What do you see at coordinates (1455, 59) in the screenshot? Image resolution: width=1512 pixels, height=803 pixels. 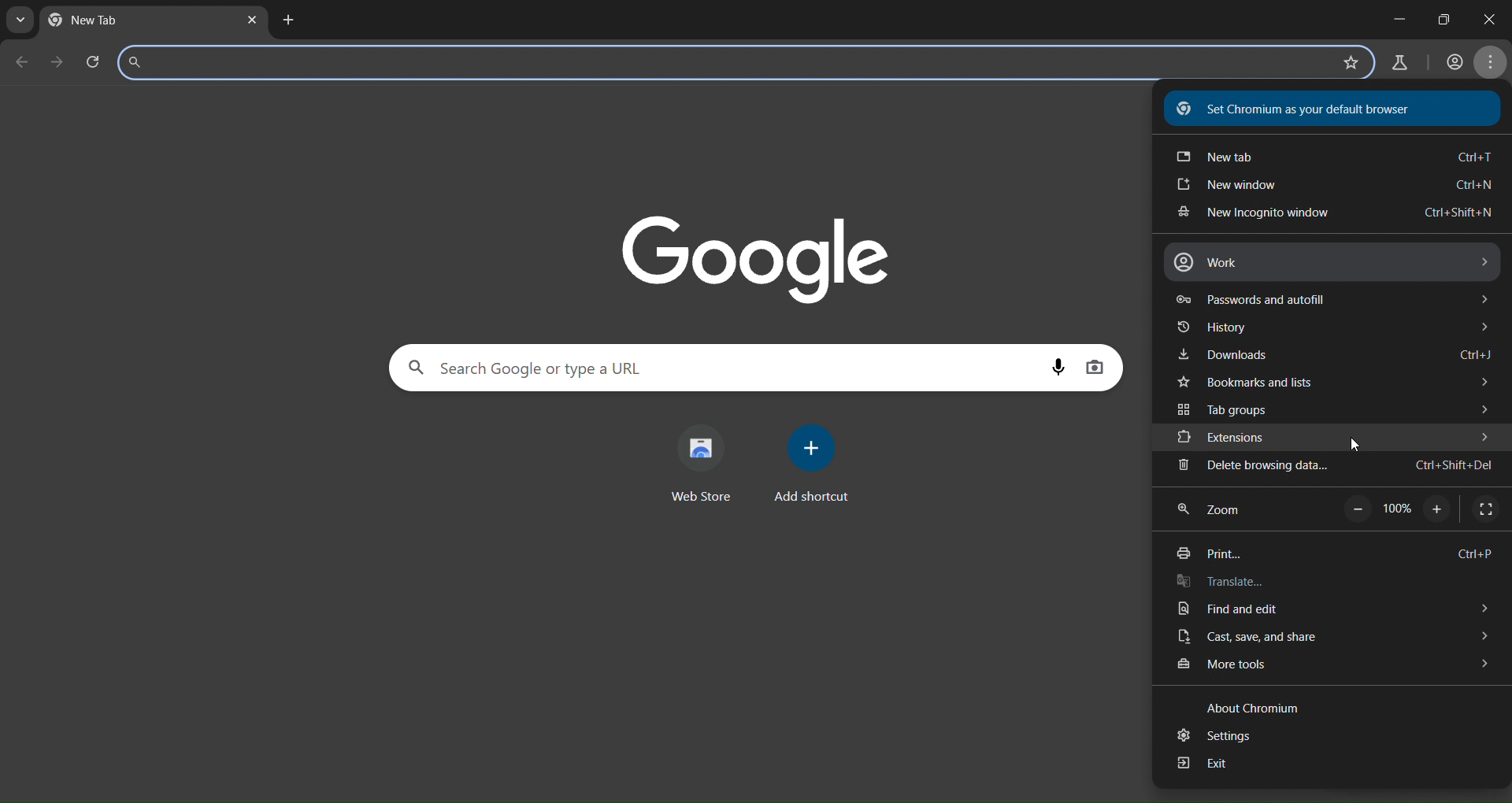 I see `account` at bounding box center [1455, 59].